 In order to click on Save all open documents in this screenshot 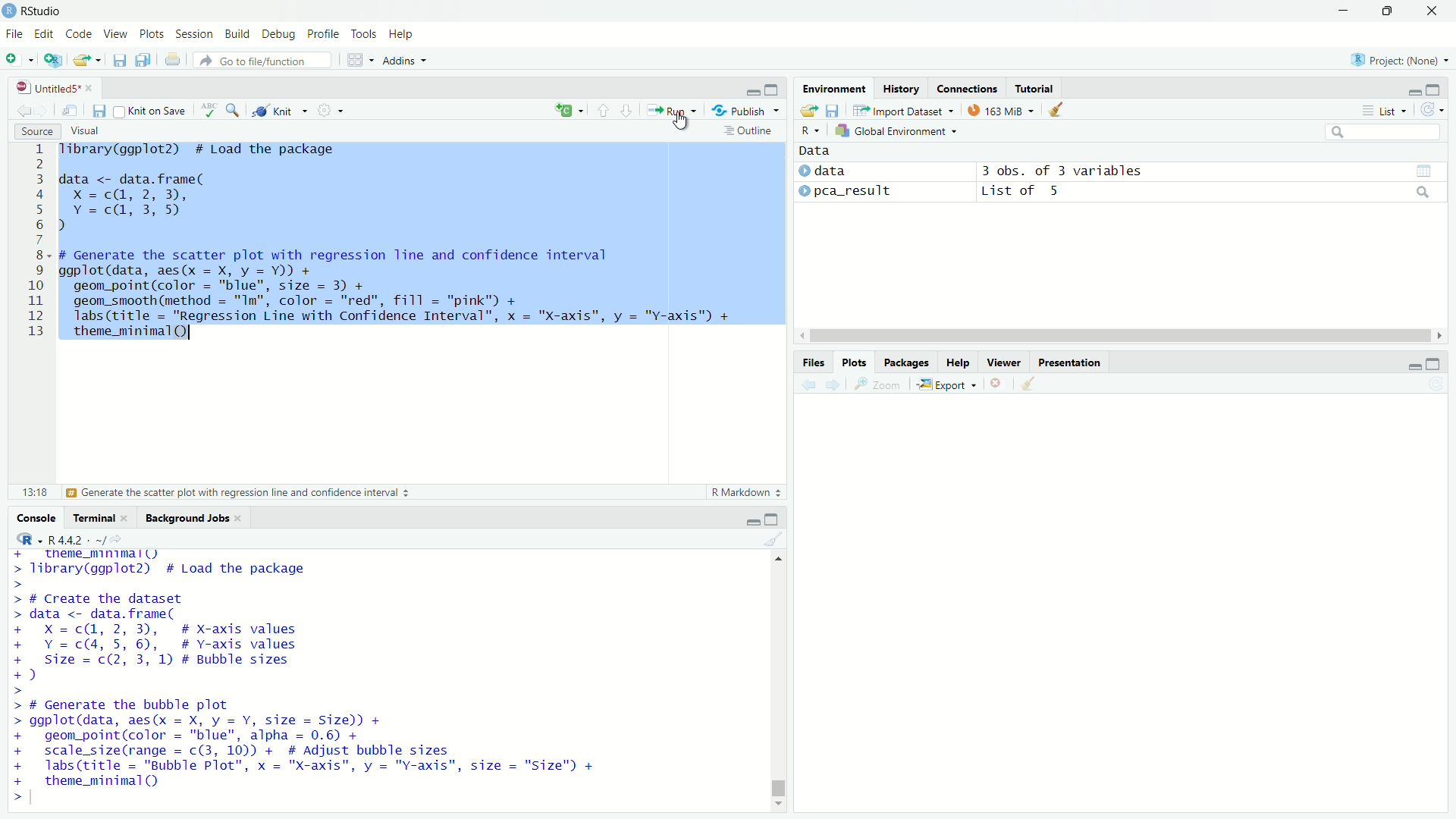, I will do `click(144, 59)`.